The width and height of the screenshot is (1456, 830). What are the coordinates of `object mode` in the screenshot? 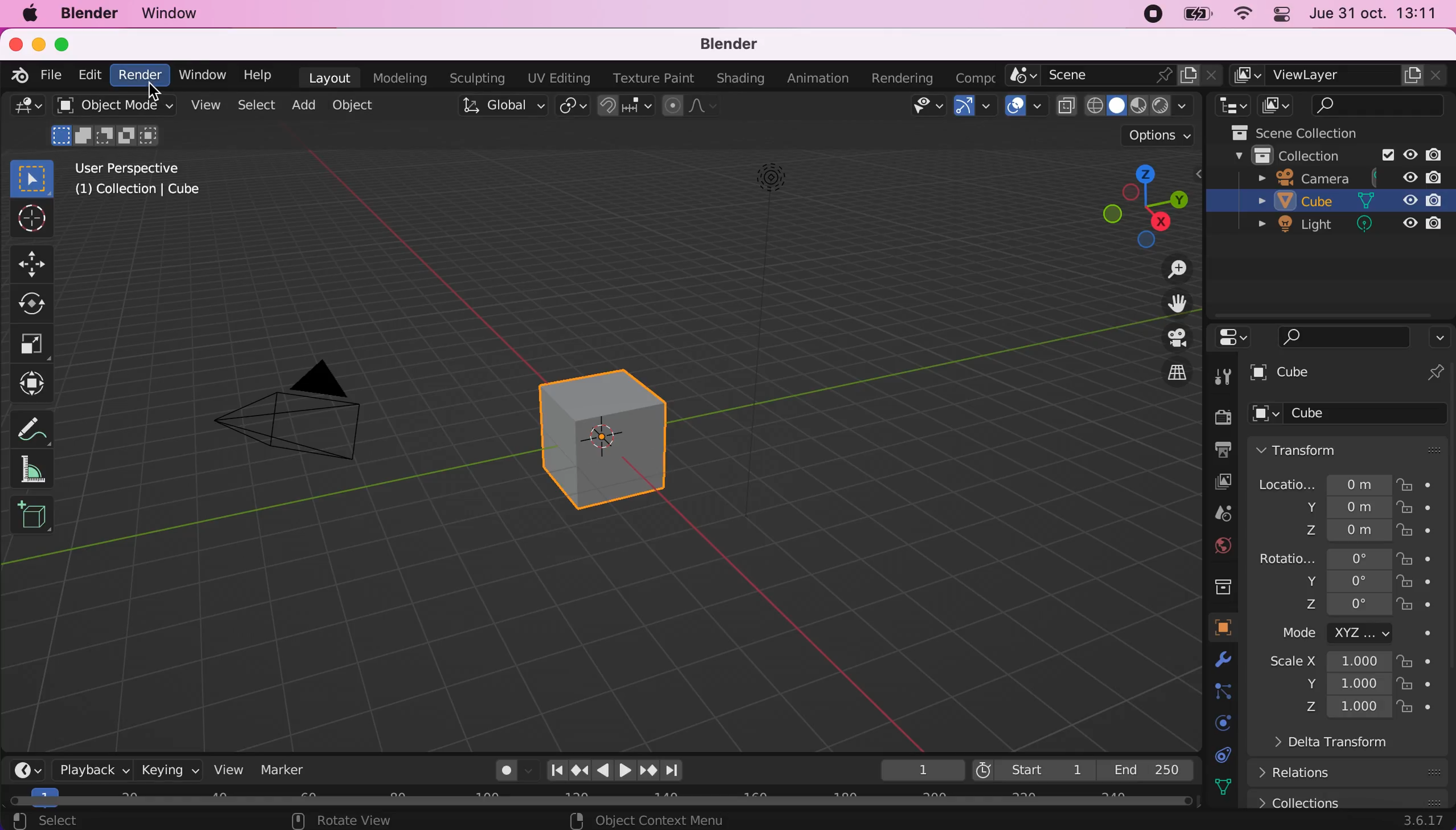 It's located at (117, 124).